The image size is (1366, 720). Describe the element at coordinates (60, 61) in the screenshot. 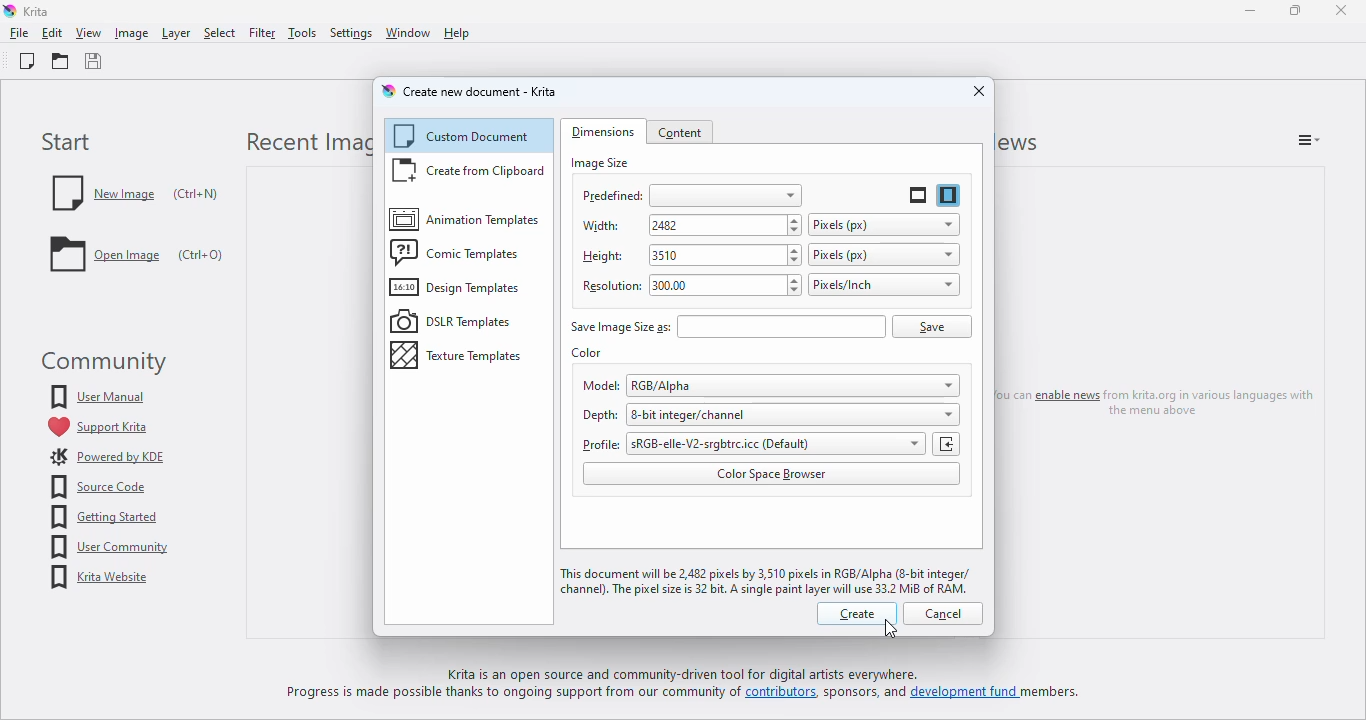

I see `open an existing document` at that location.